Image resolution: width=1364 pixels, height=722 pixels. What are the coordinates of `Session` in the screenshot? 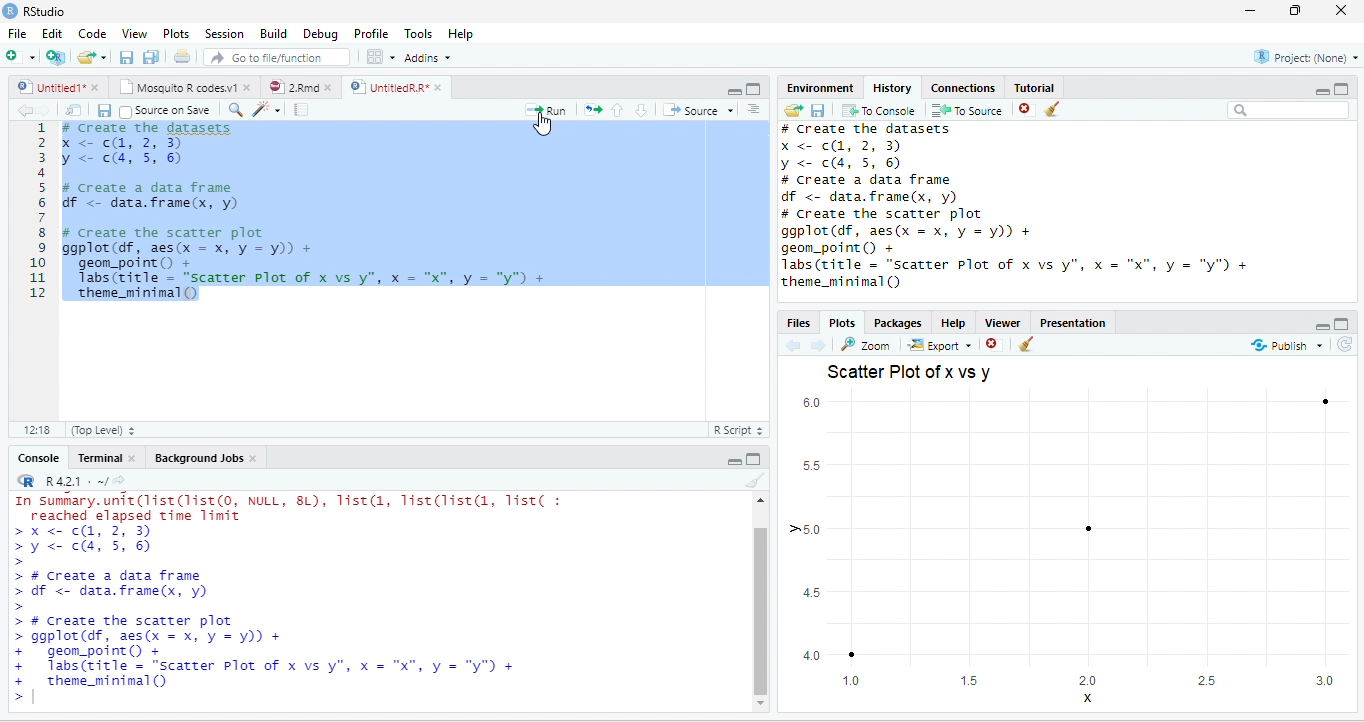 It's located at (225, 33).